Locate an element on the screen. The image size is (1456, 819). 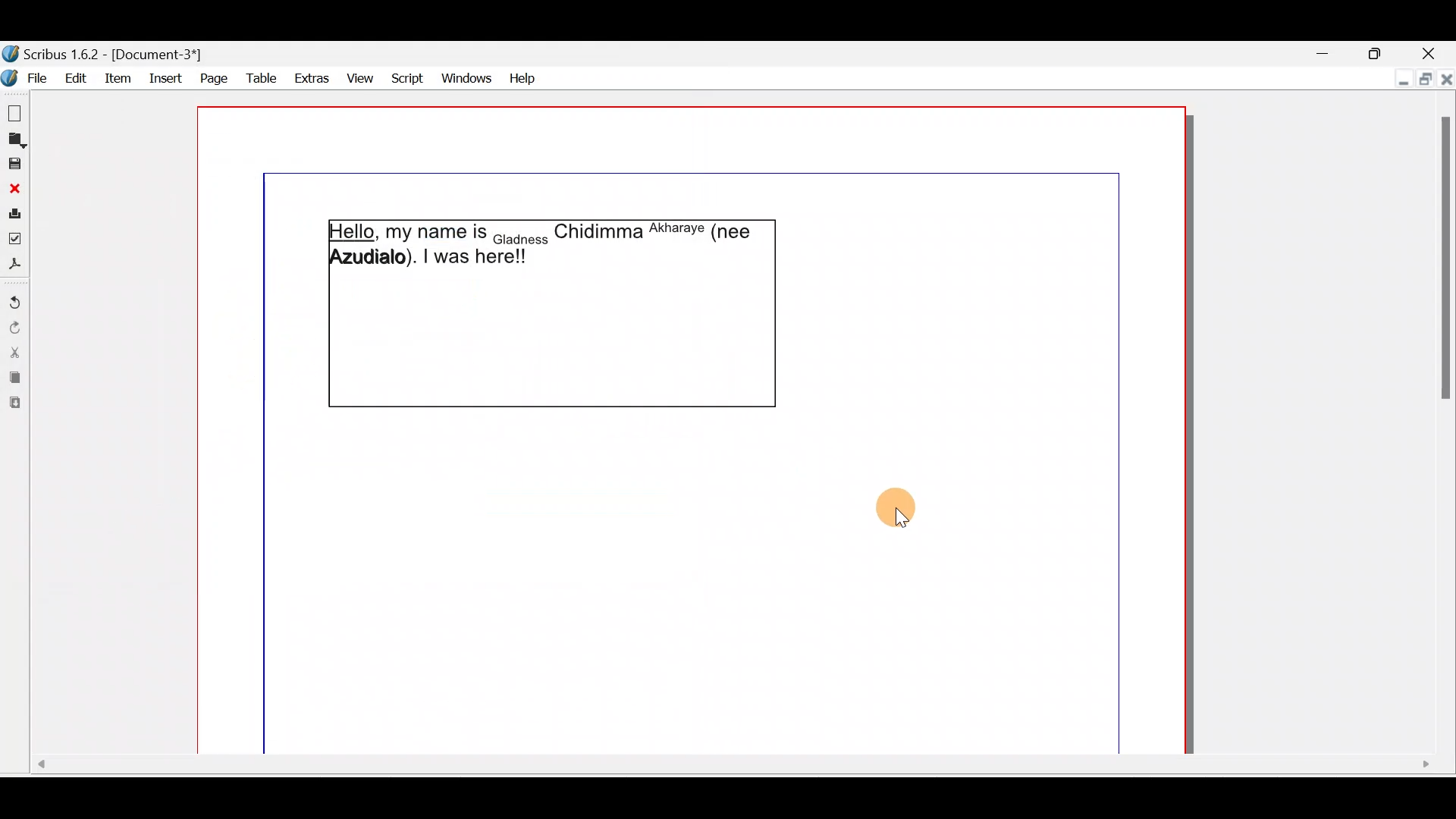
Page is located at coordinates (213, 79).